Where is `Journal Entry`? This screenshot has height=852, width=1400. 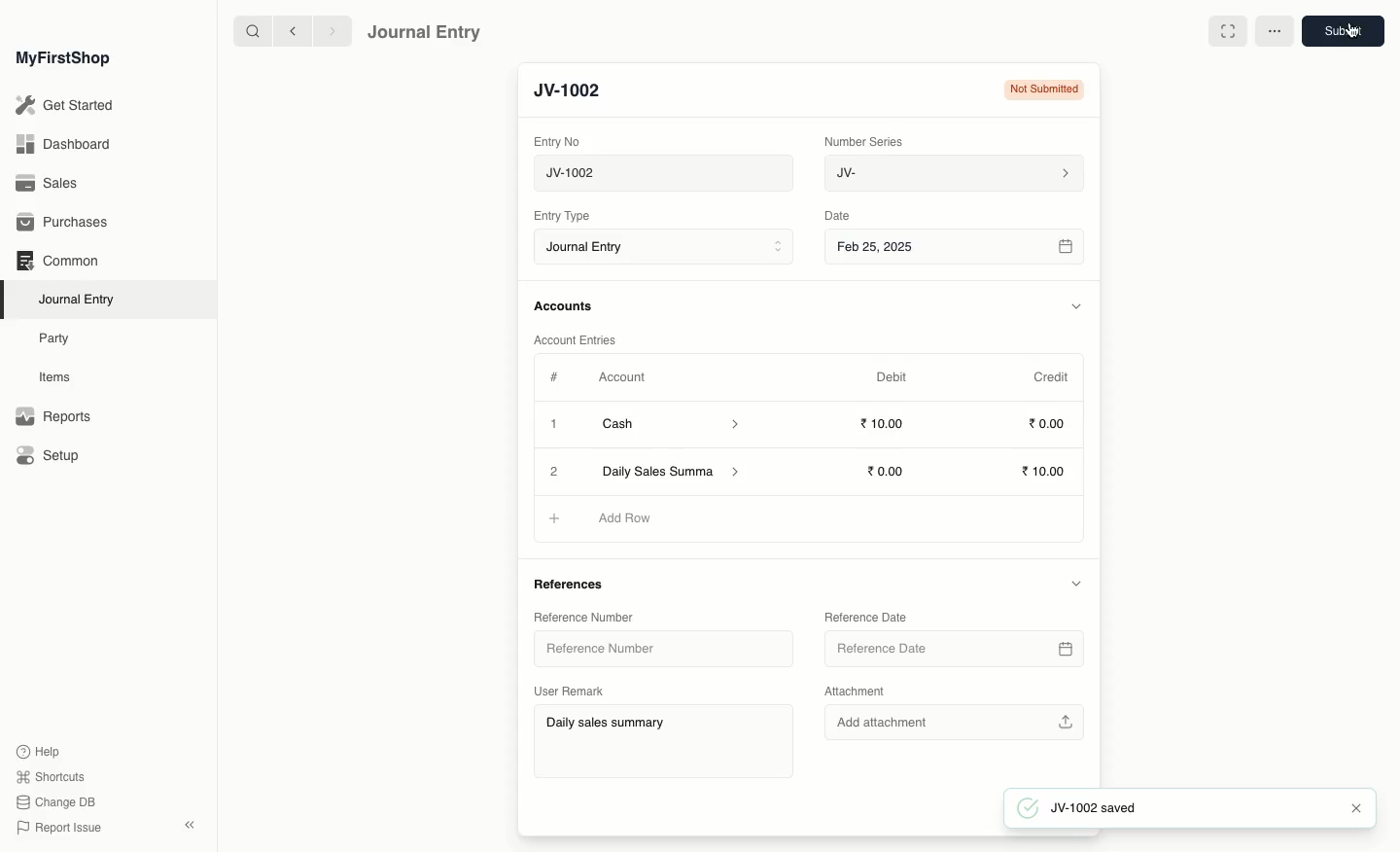 Journal Entry is located at coordinates (425, 31).